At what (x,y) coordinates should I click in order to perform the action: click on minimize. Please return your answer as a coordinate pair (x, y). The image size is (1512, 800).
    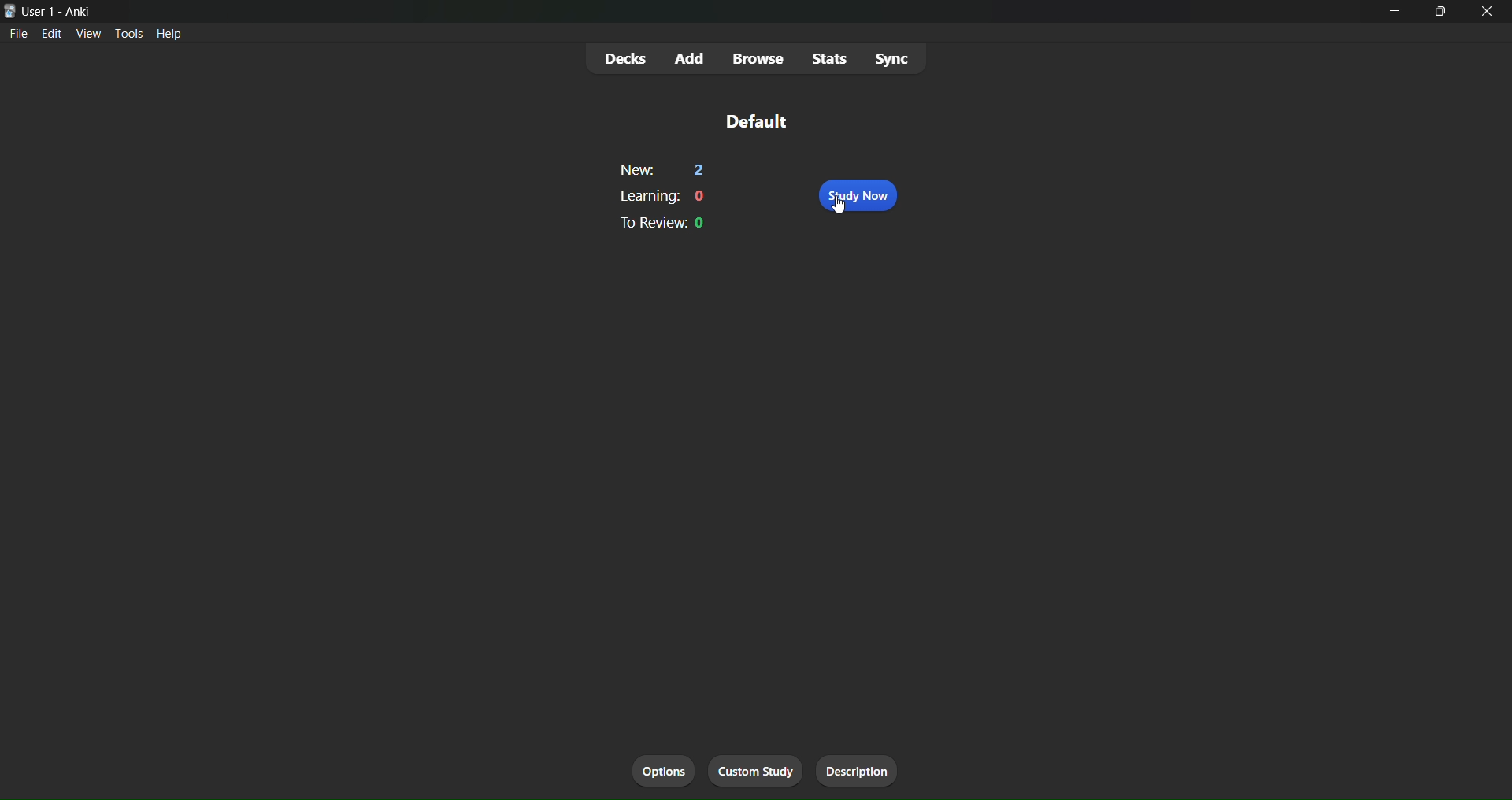
    Looking at the image, I should click on (1397, 17).